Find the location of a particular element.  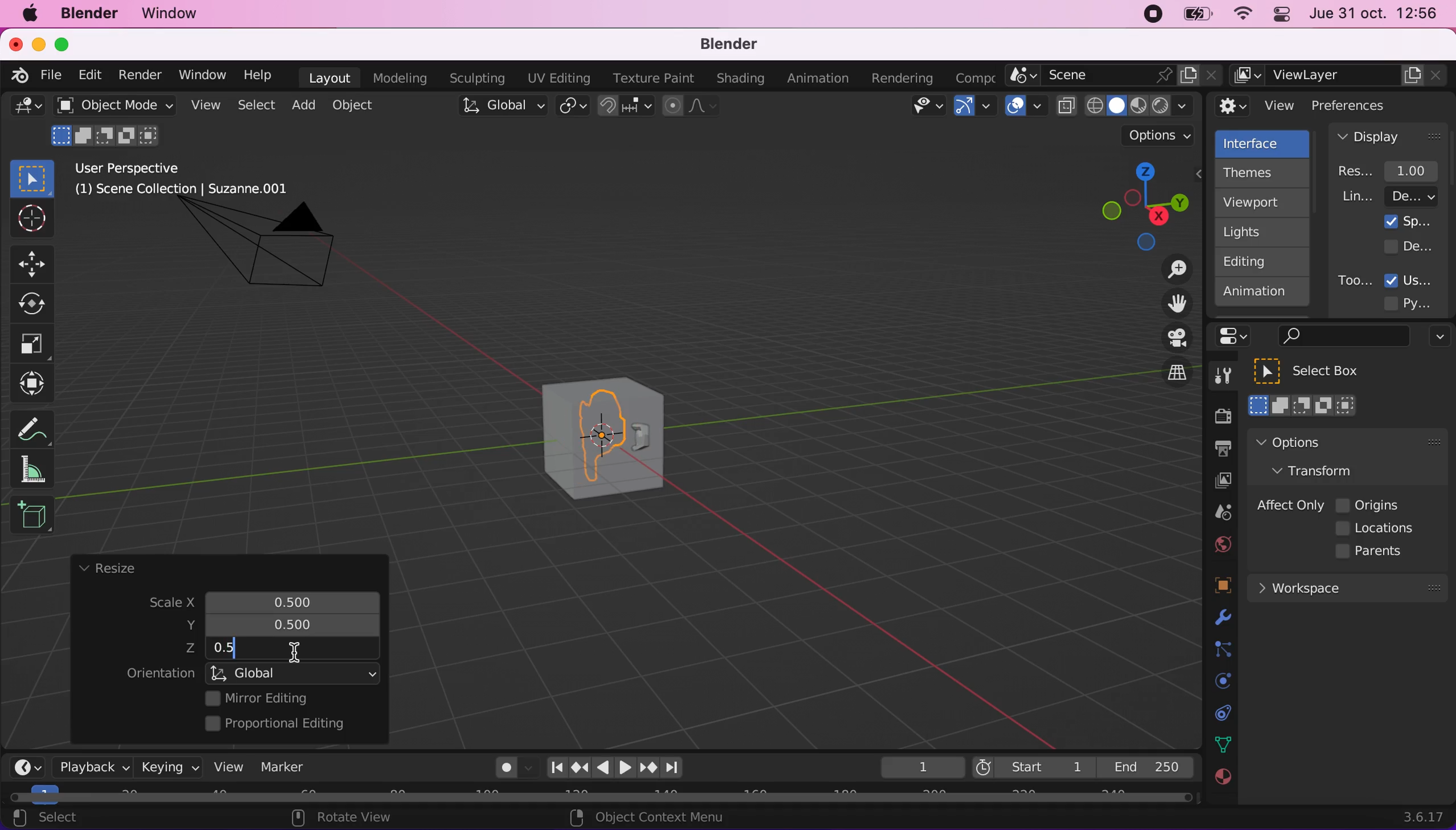

blender is located at coordinates (88, 14).